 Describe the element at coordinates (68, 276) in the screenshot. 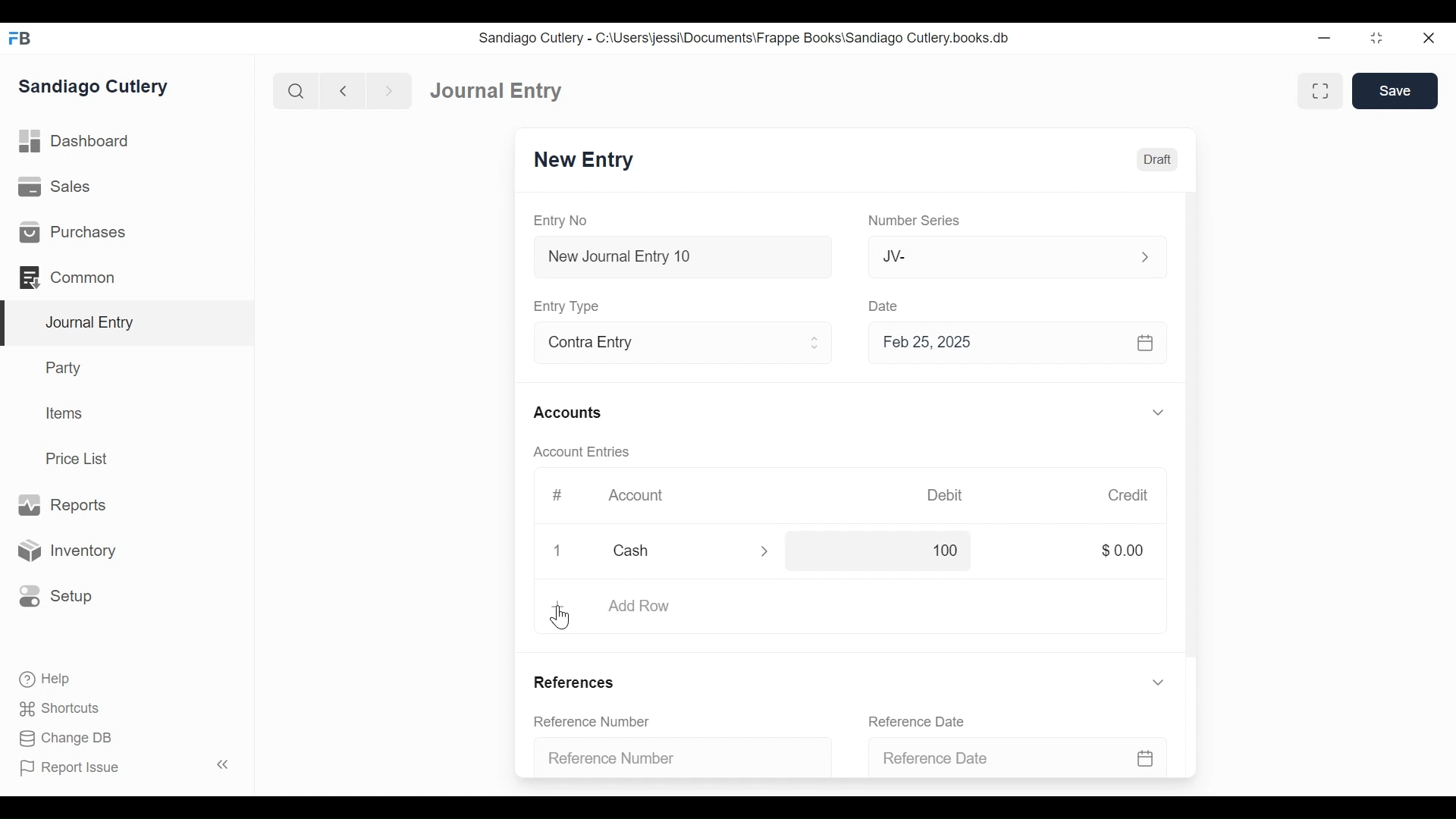

I see `Common` at that location.